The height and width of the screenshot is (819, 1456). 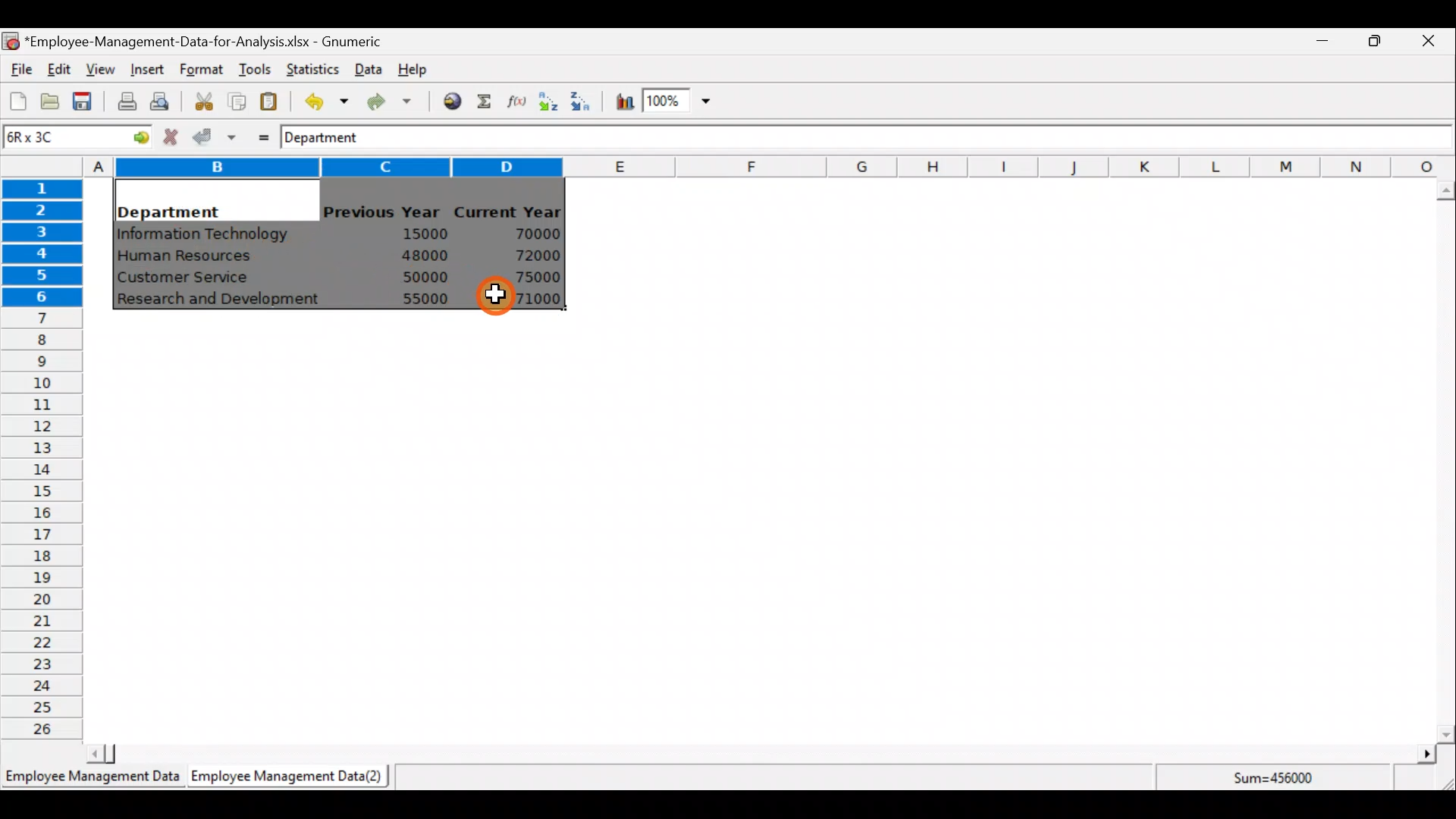 I want to click on Open a file, so click(x=54, y=103).